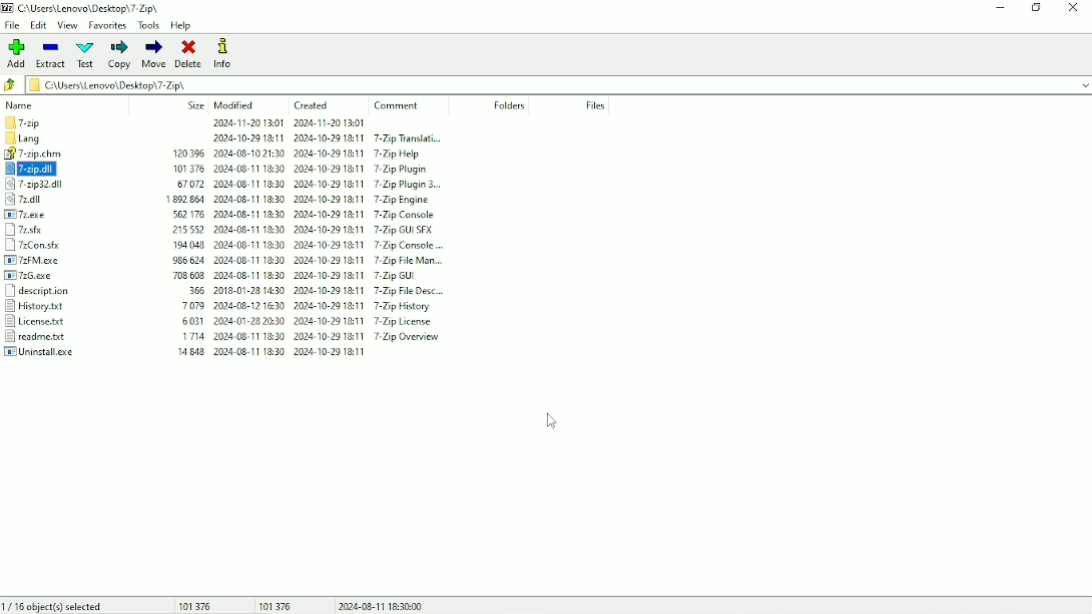  What do you see at coordinates (52, 203) in the screenshot?
I see `7z.dll` at bounding box center [52, 203].